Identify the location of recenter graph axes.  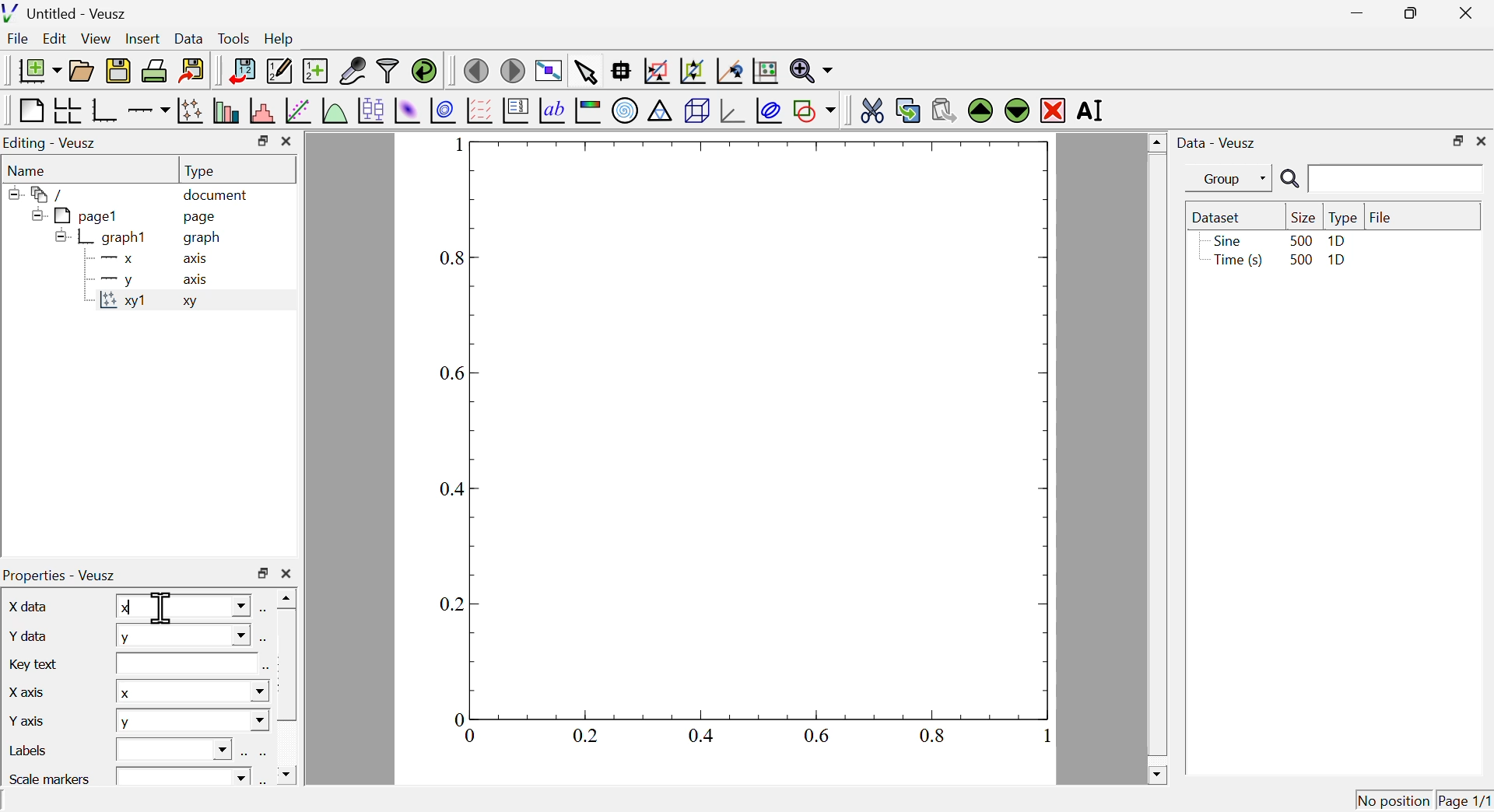
(731, 71).